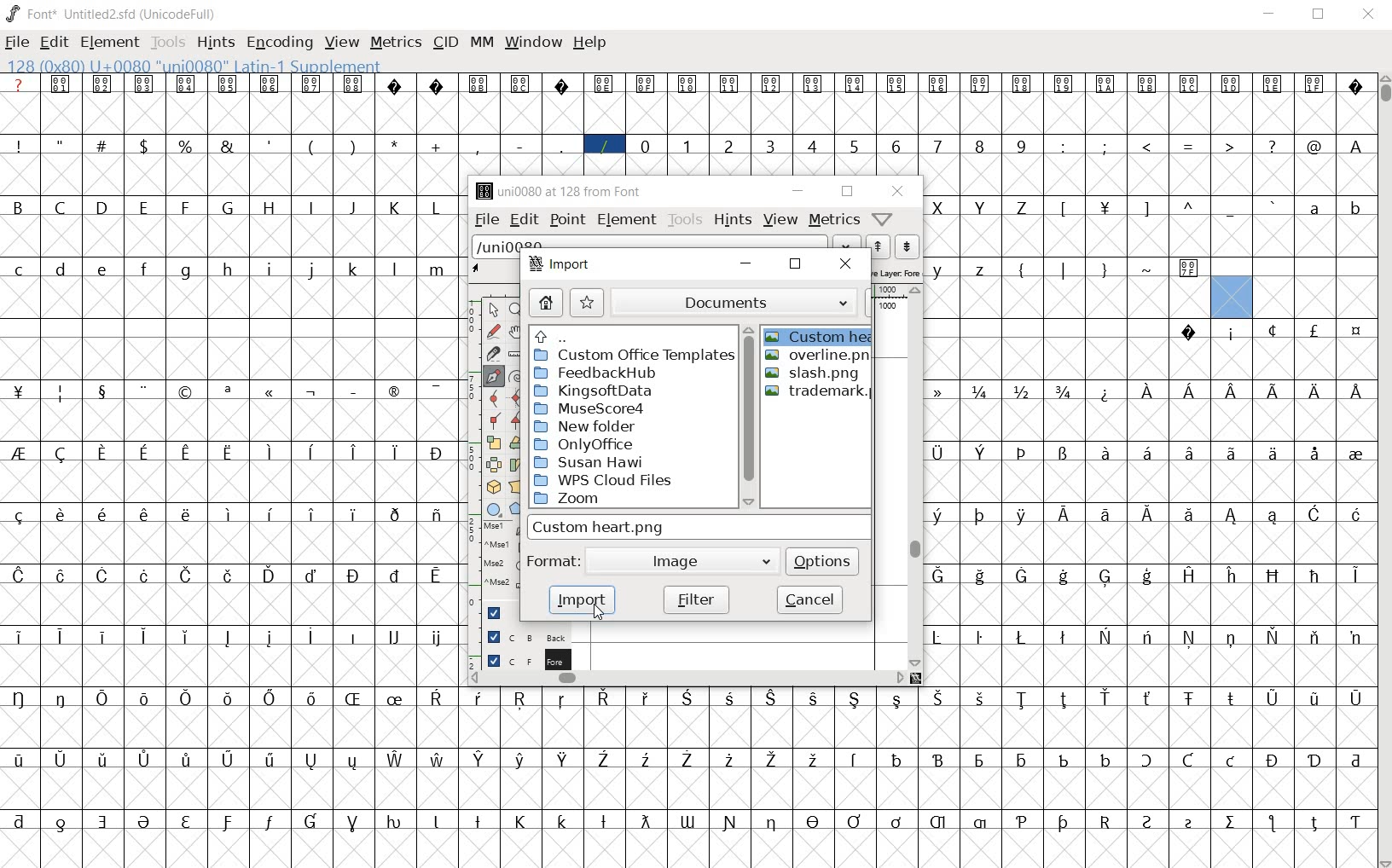 This screenshot has height=868, width=1392. What do you see at coordinates (781, 219) in the screenshot?
I see `view` at bounding box center [781, 219].